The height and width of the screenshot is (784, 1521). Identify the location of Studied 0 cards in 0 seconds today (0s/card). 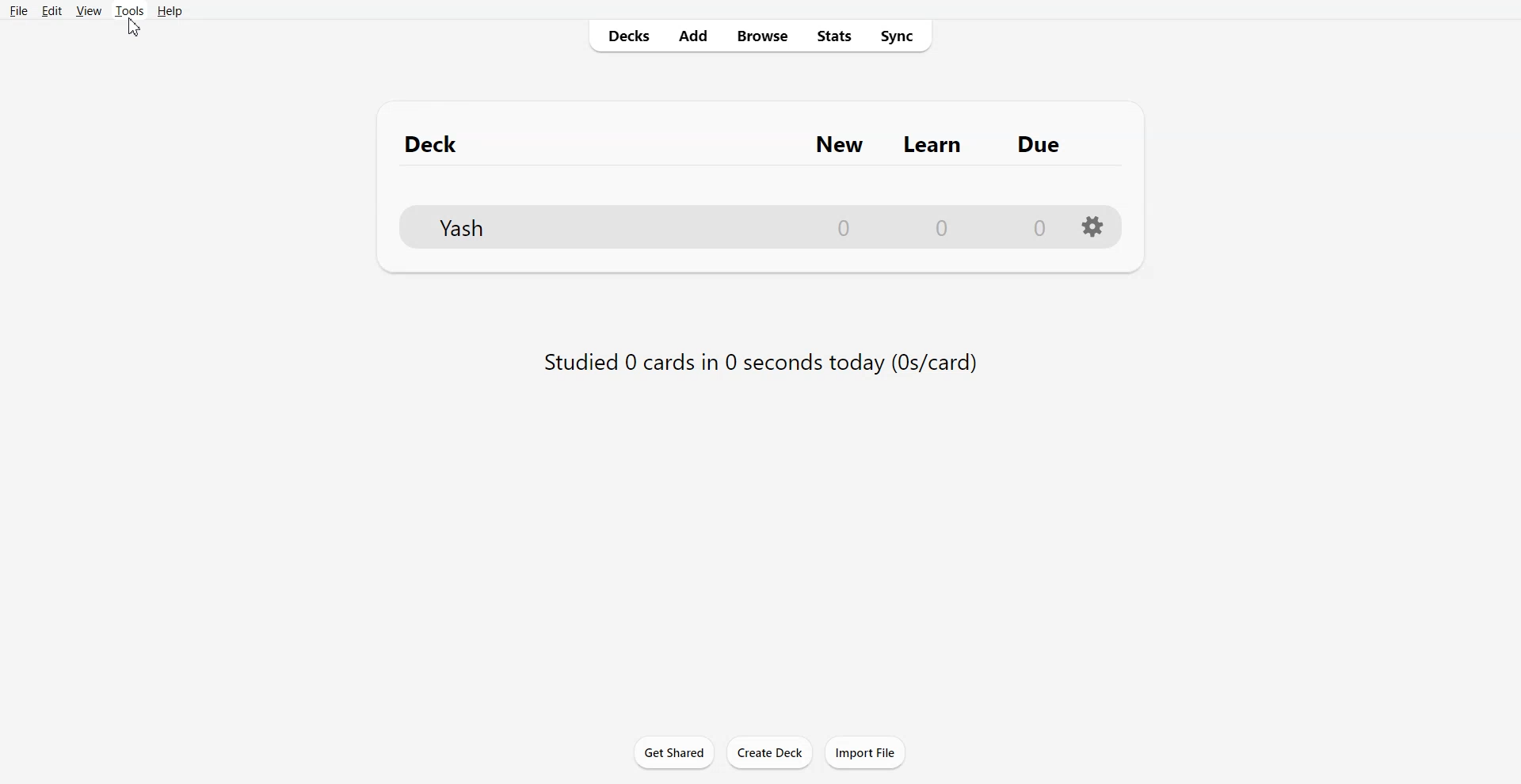
(761, 363).